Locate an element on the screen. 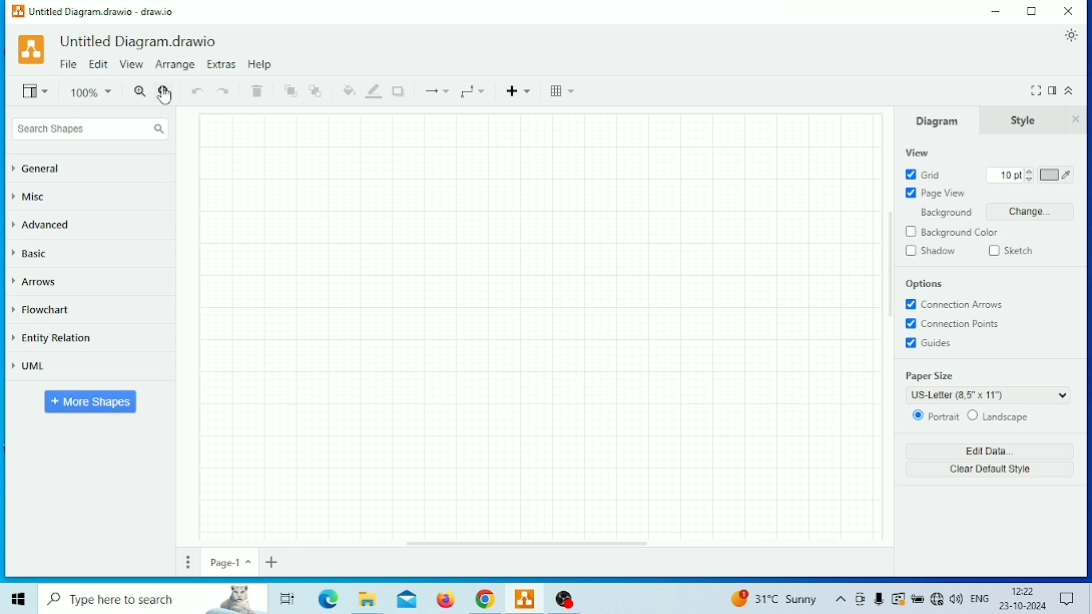 This screenshot has width=1092, height=614. untitled diagram draw.io is located at coordinates (102, 12).